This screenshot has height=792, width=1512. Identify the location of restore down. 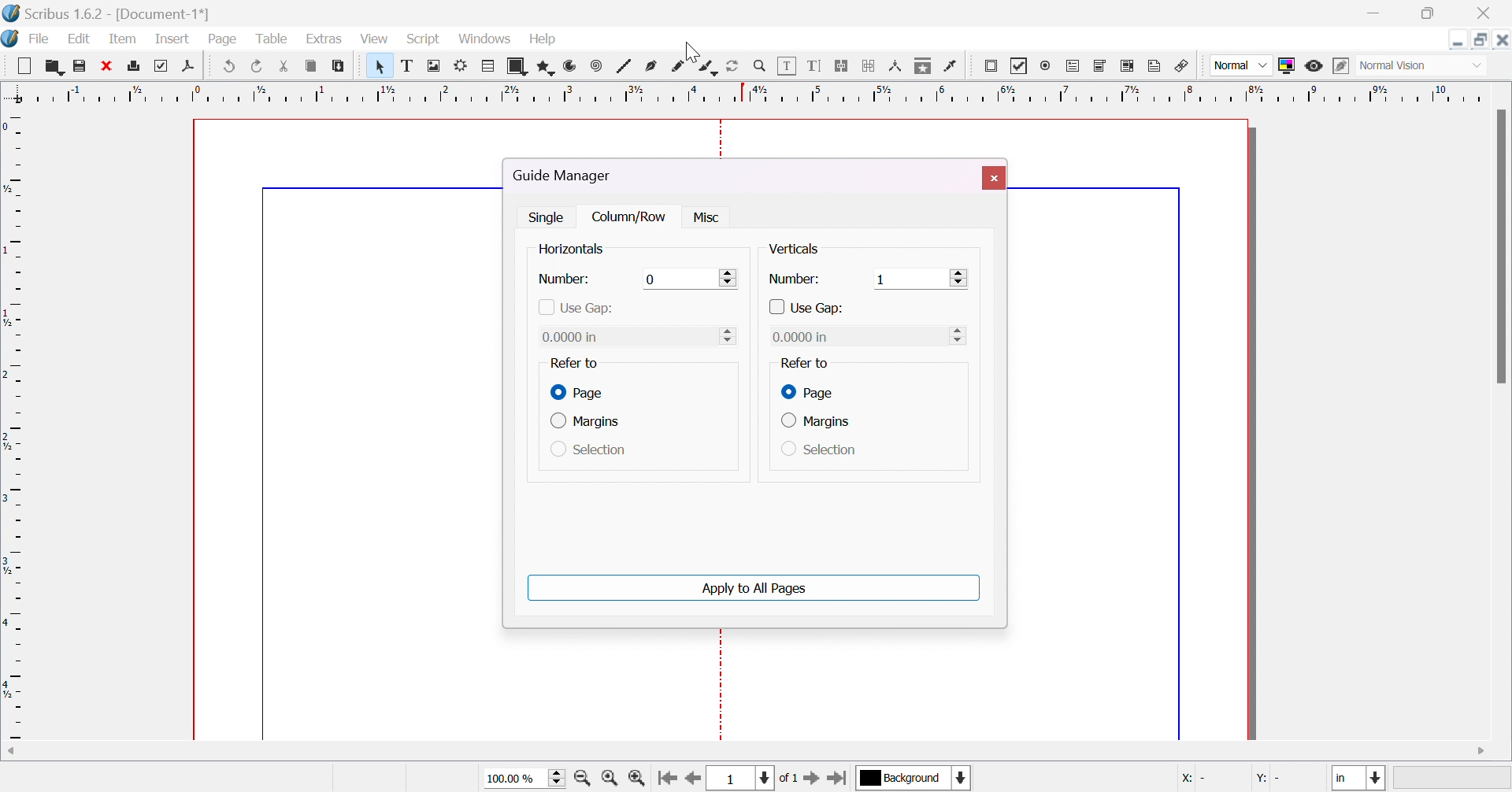
(1429, 14).